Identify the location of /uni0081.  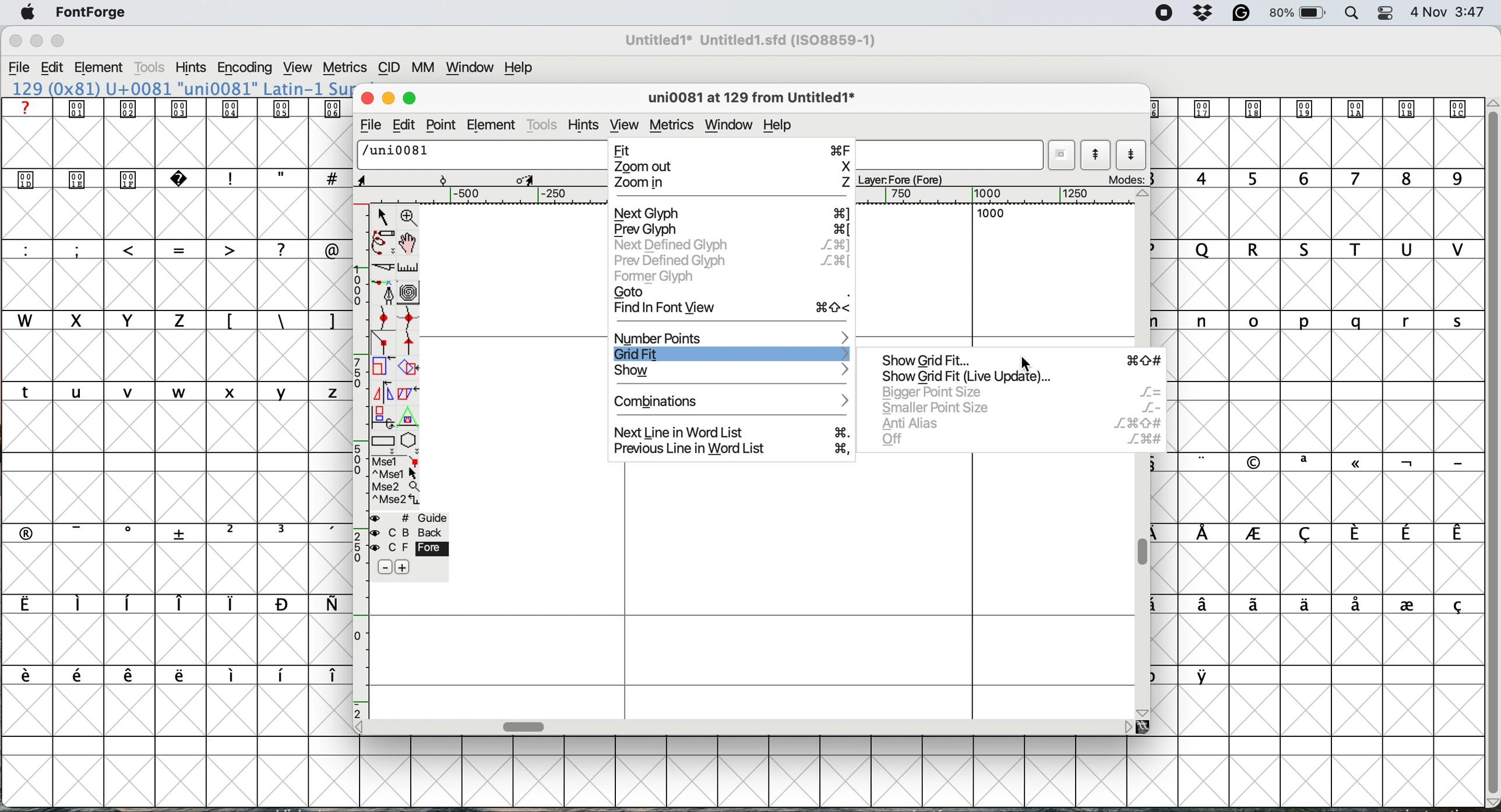
(397, 153).